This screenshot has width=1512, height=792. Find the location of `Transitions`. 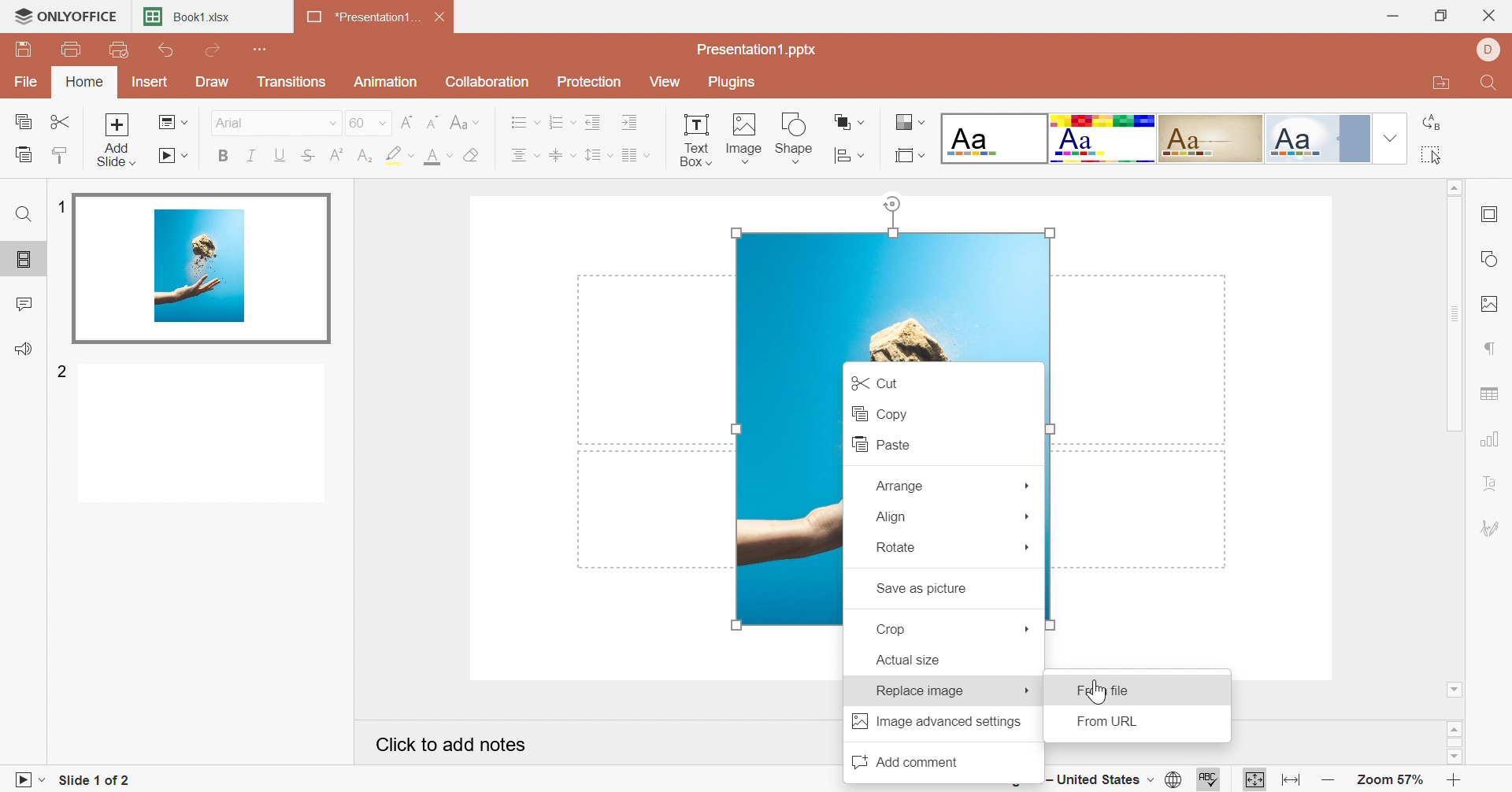

Transitions is located at coordinates (292, 81).